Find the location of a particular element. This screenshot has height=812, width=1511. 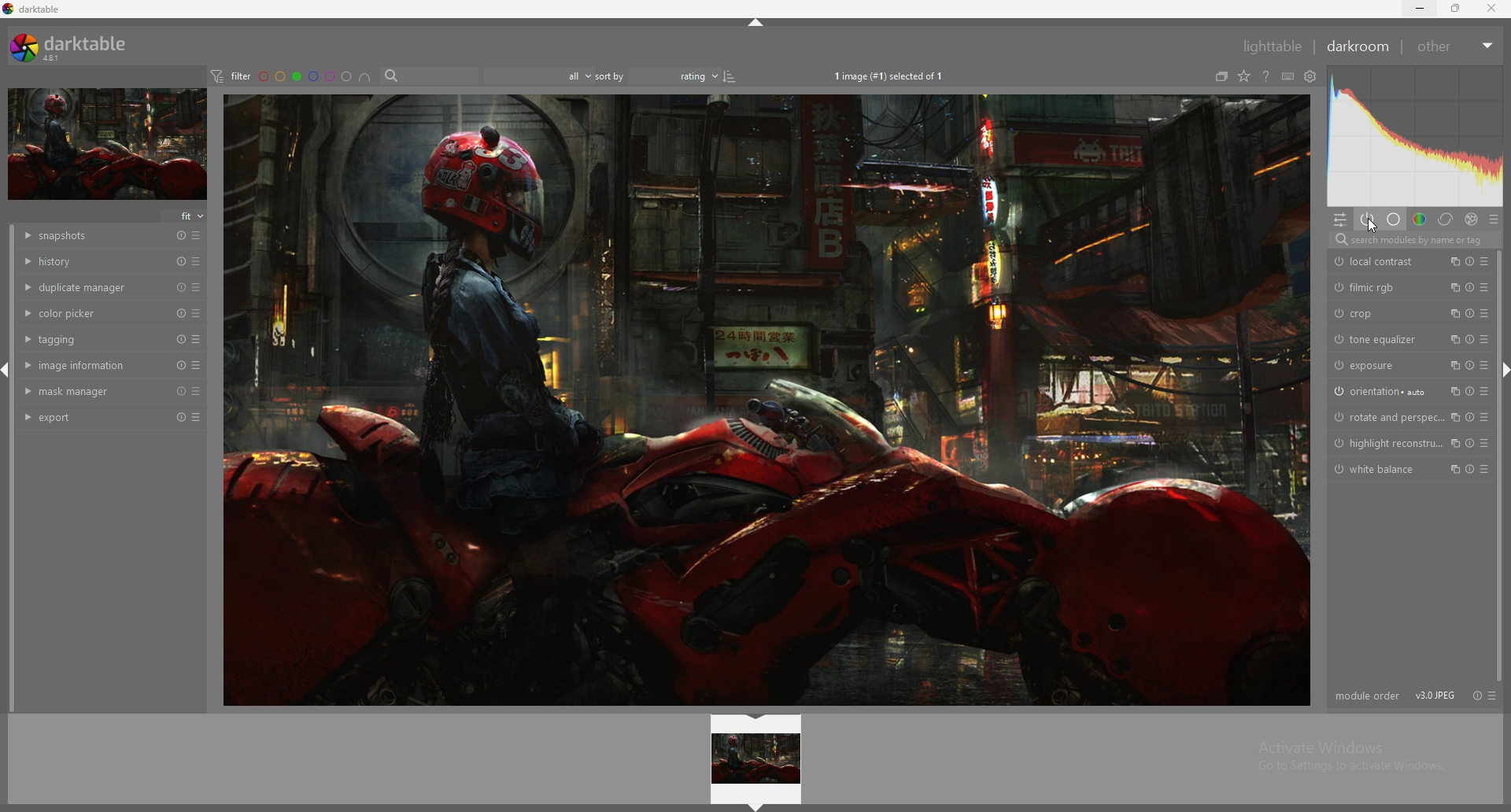

change type of overlays shown is located at coordinates (1243, 76).